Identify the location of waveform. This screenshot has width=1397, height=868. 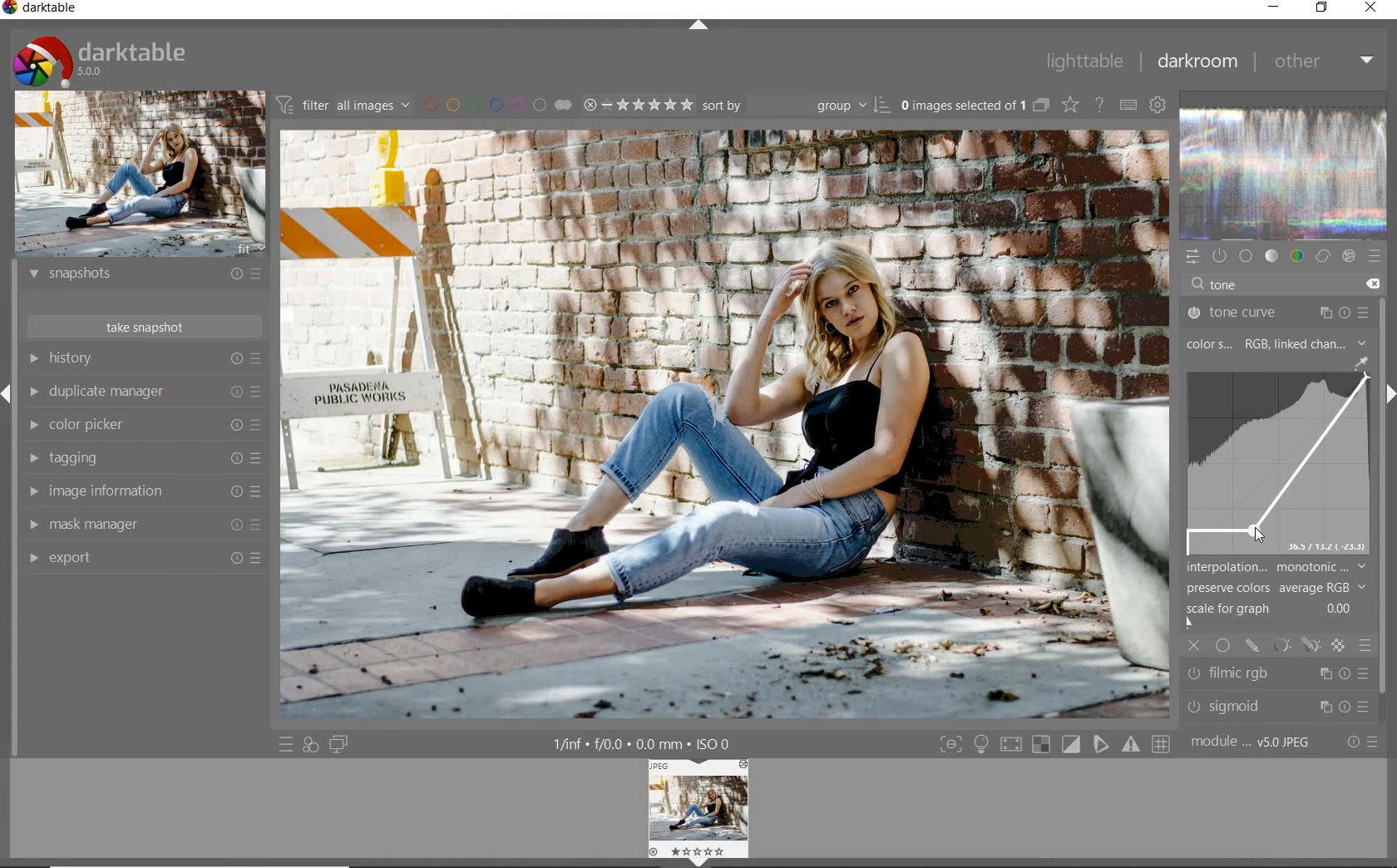
(1284, 175).